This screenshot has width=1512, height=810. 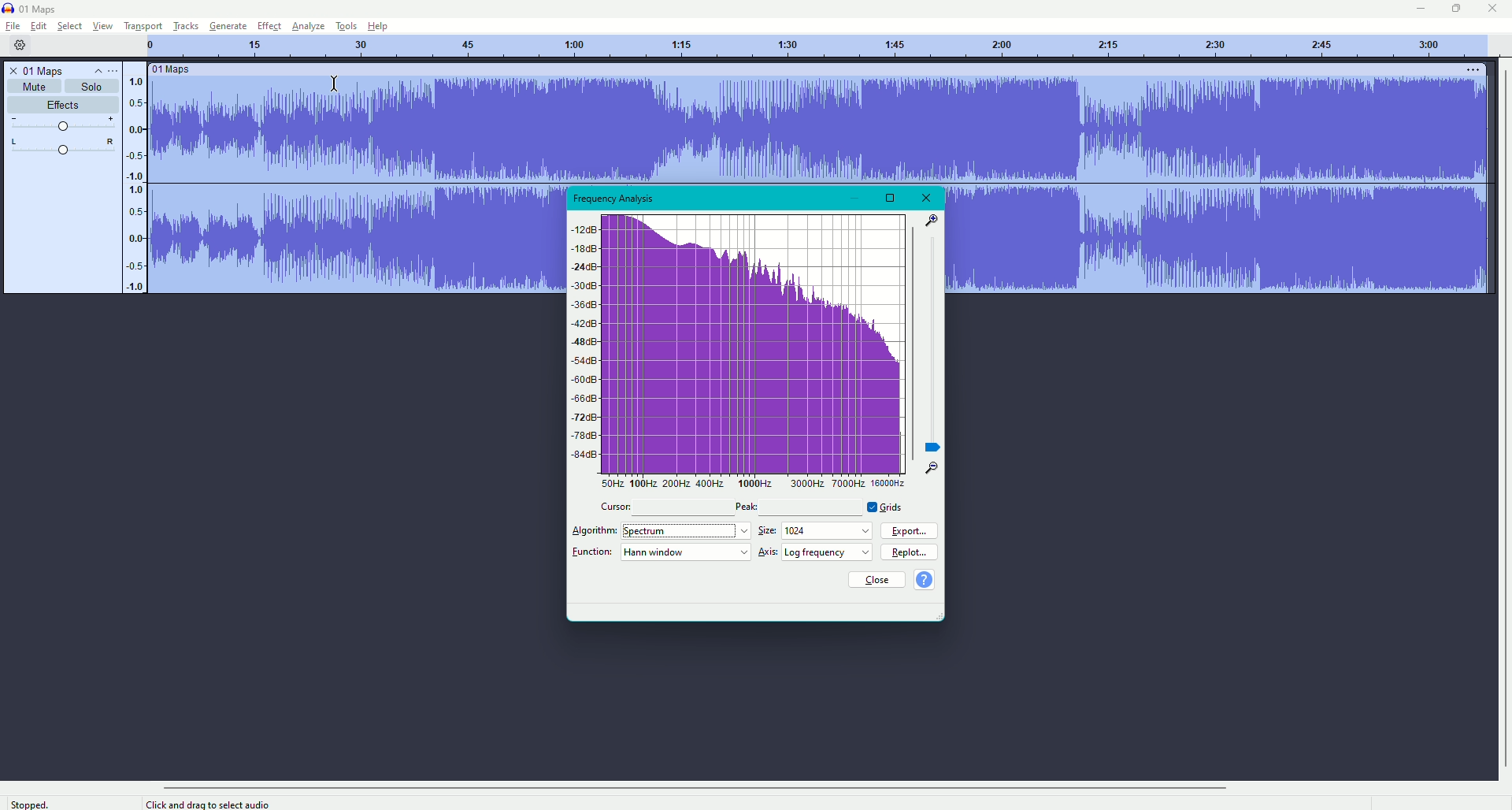 What do you see at coordinates (817, 529) in the screenshot?
I see `Size - 1024` at bounding box center [817, 529].